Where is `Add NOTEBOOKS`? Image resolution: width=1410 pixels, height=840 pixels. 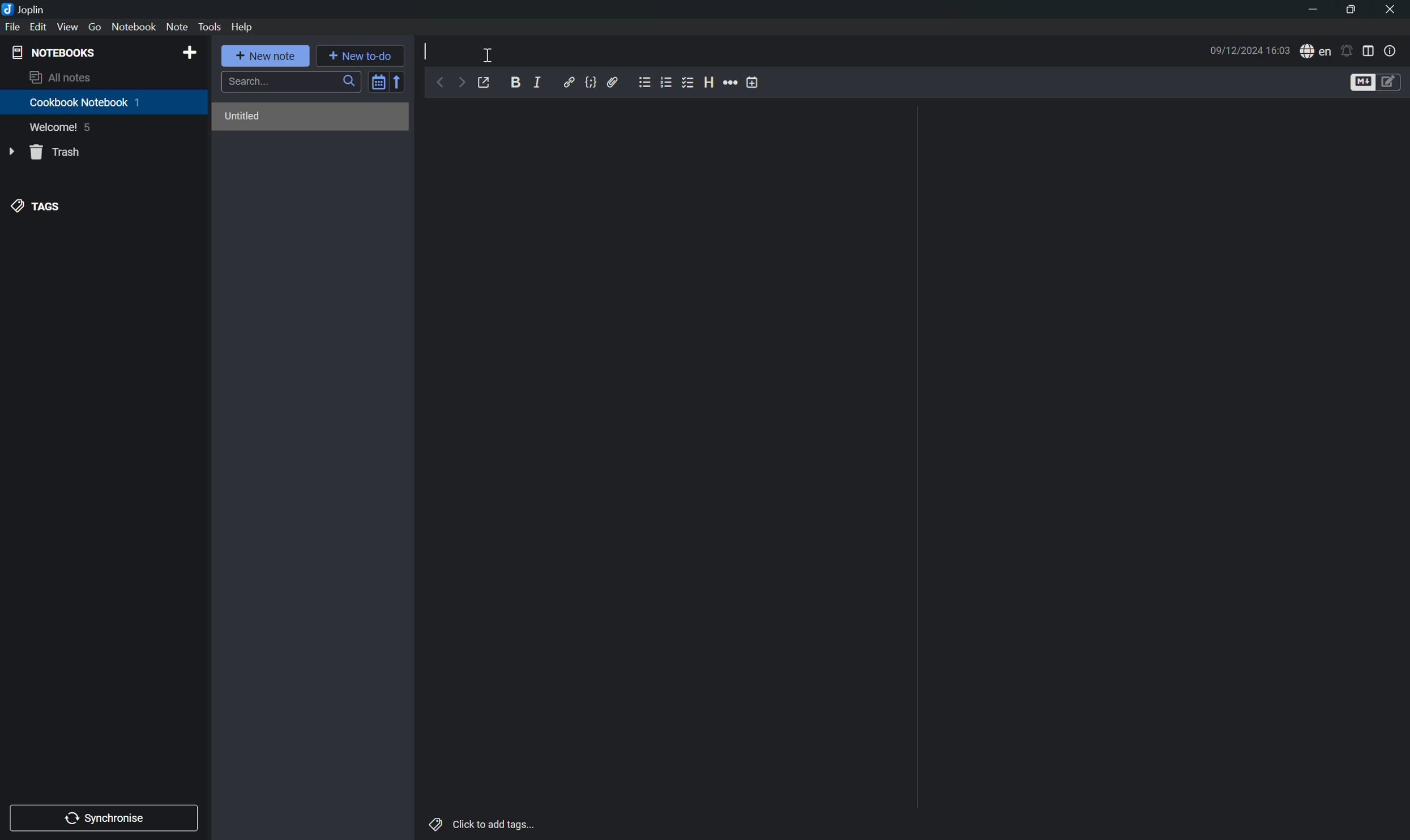 Add NOTEBOOKS is located at coordinates (190, 52).